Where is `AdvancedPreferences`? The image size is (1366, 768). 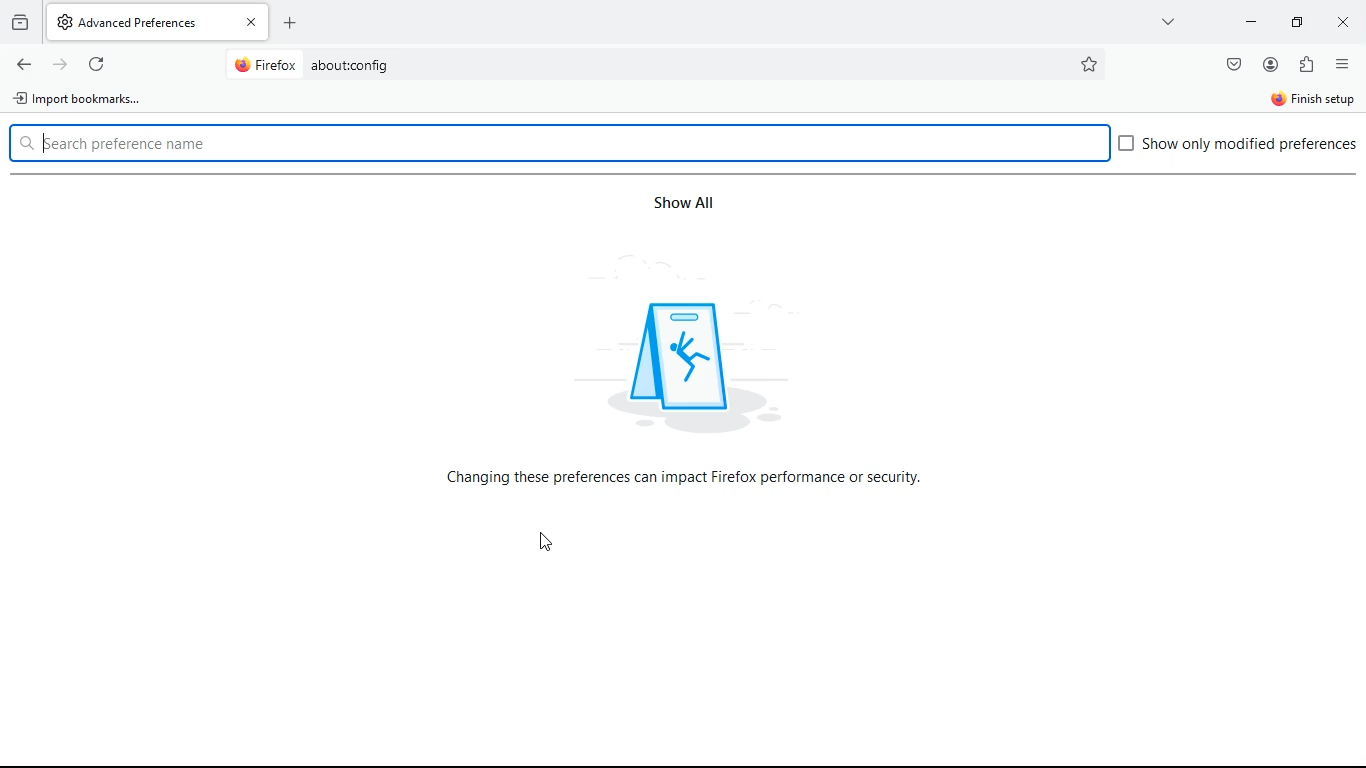
AdvancedPreferences is located at coordinates (159, 23).